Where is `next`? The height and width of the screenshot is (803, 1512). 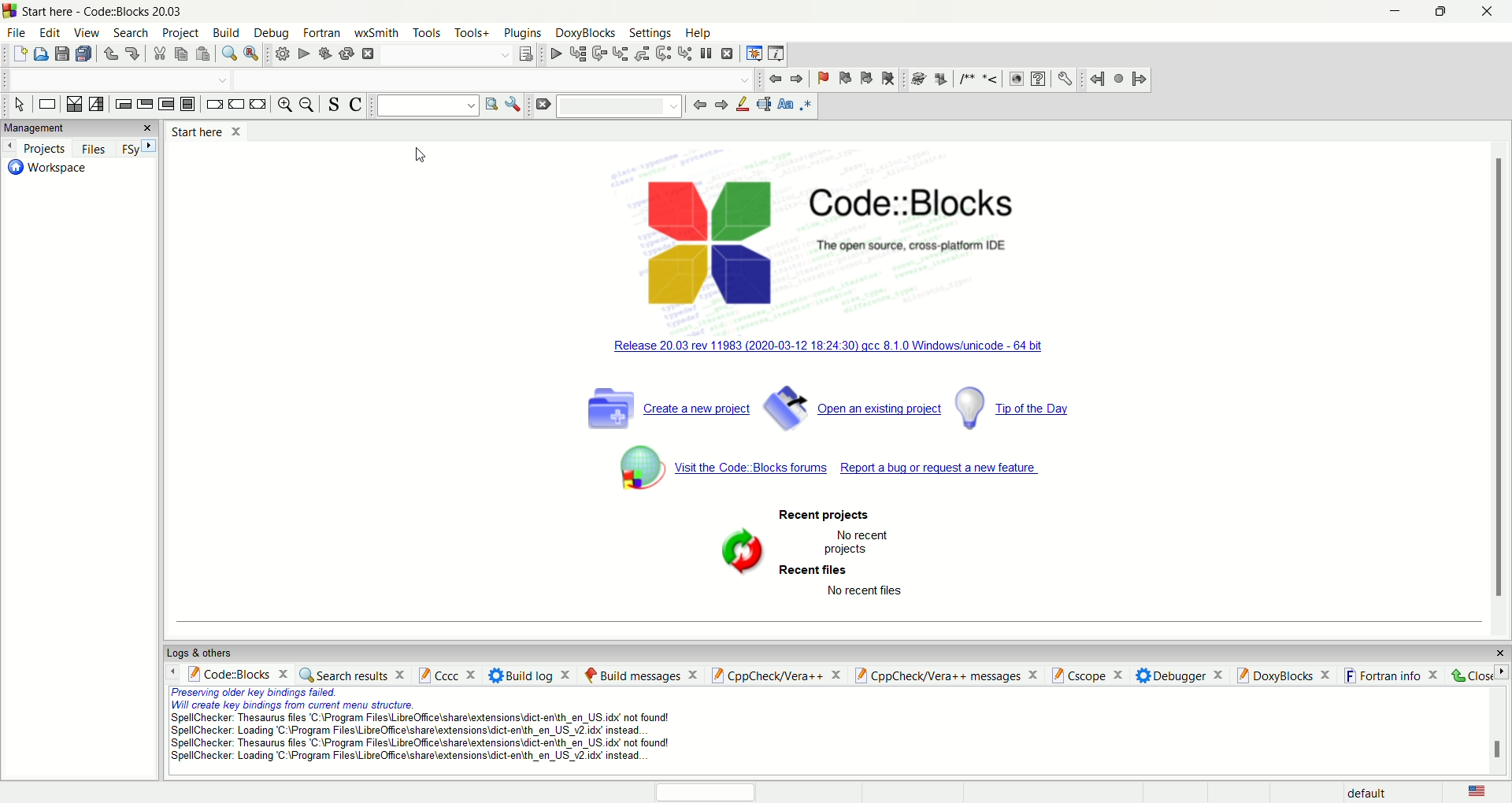
next is located at coordinates (147, 147).